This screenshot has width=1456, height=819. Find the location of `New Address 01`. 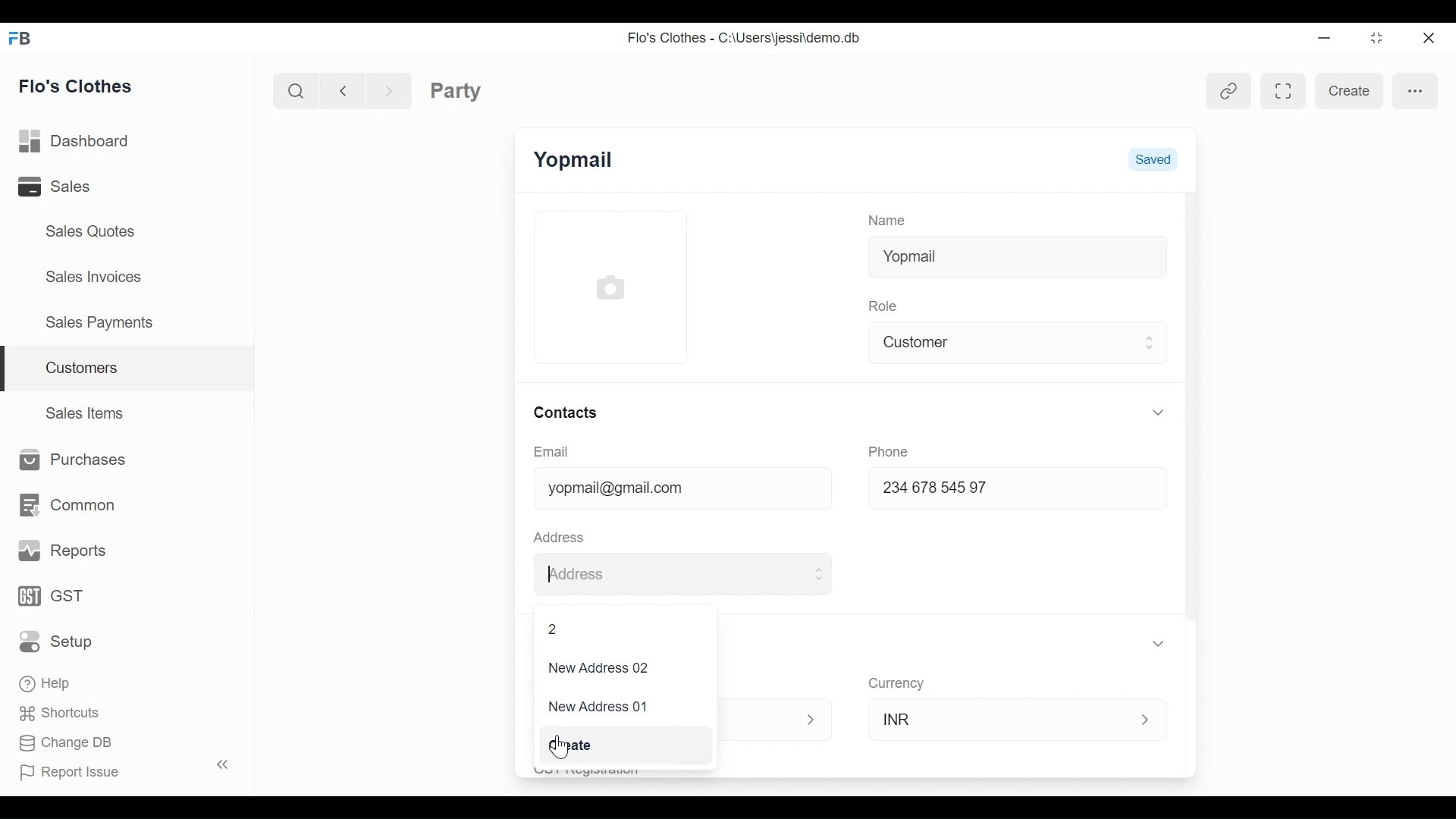

New Address 01 is located at coordinates (599, 708).